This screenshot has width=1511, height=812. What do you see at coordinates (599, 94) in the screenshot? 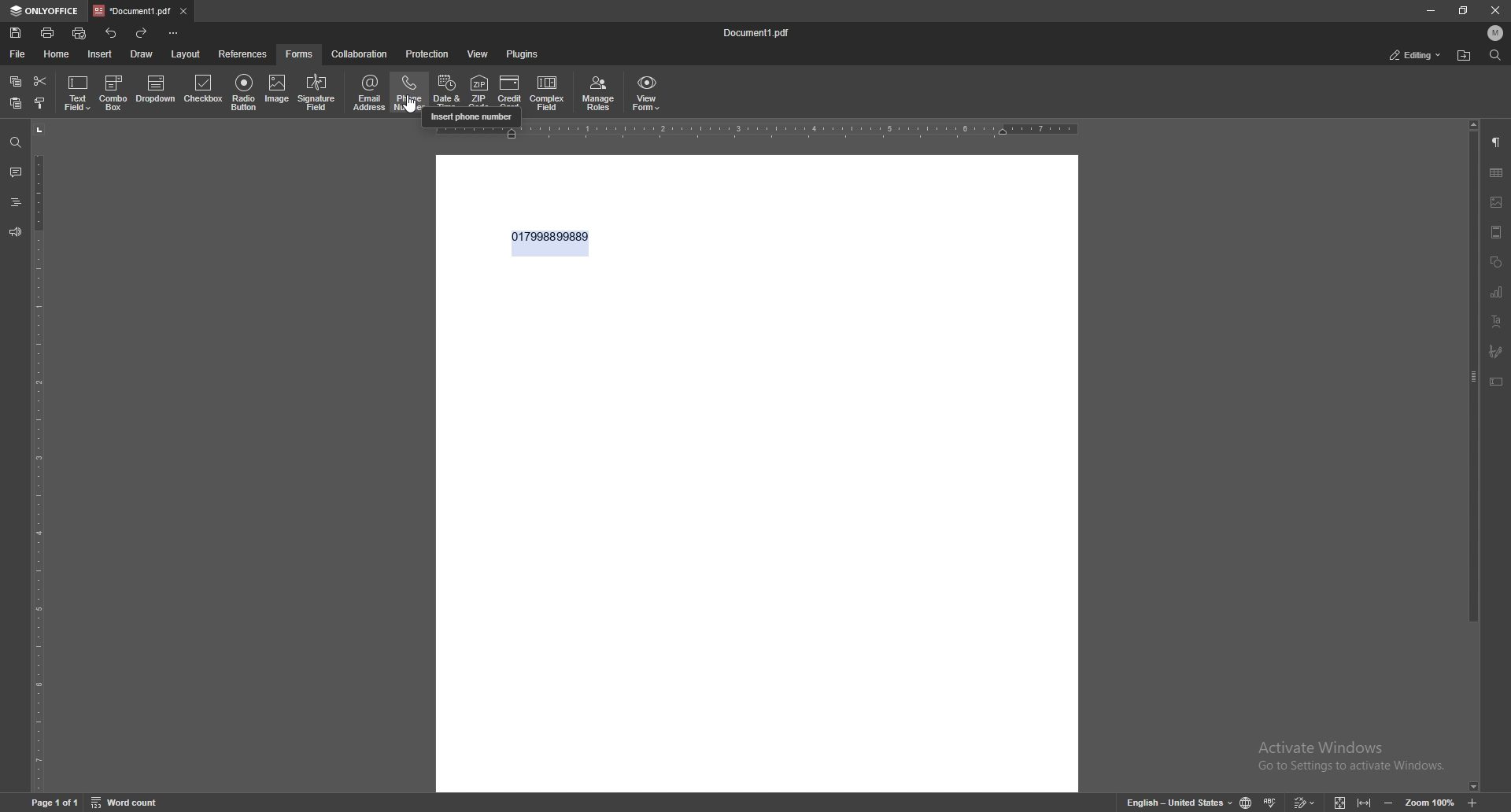
I see `manage roles` at bounding box center [599, 94].